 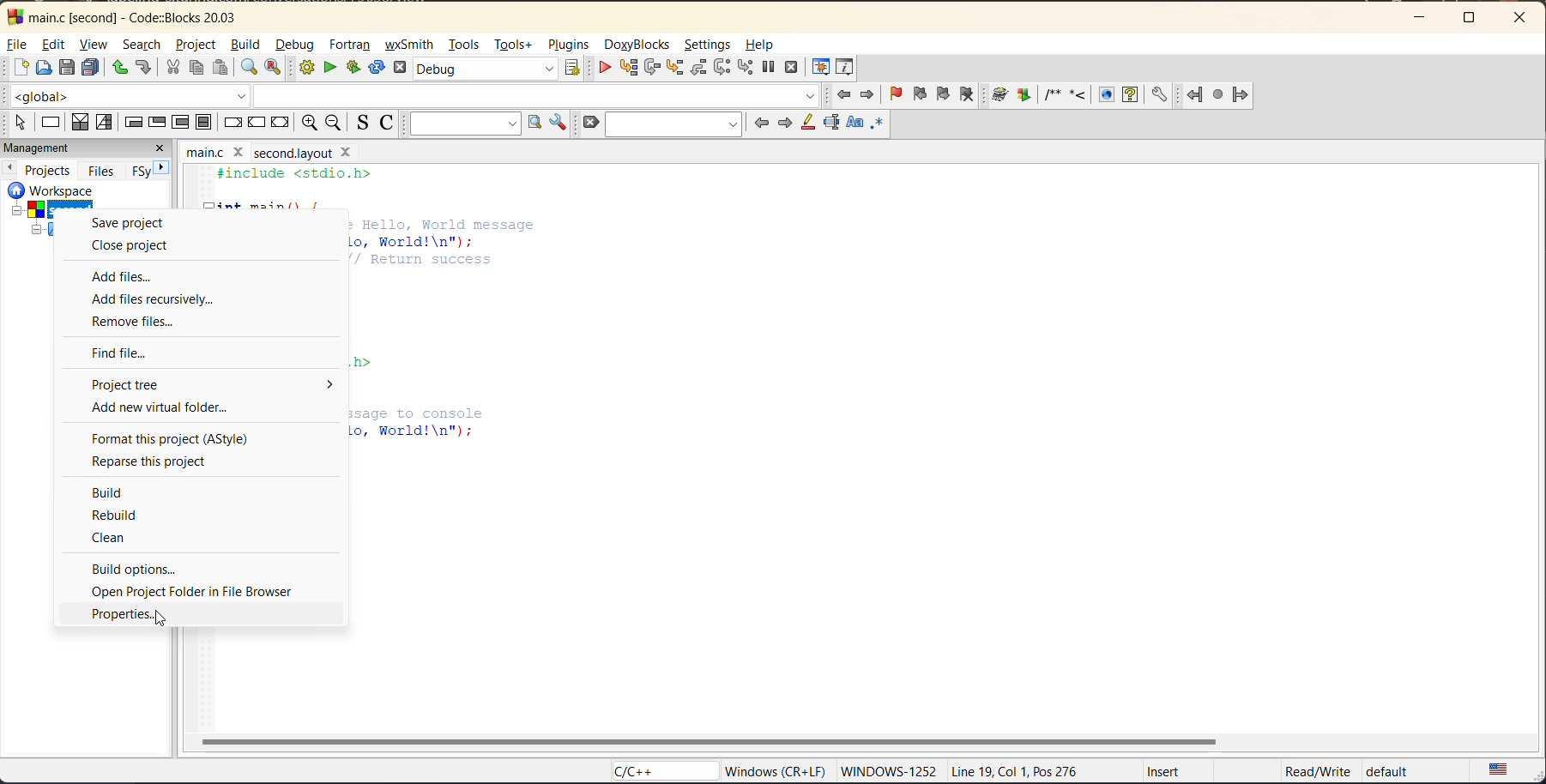 I want to click on drop down, so click(x=326, y=386).